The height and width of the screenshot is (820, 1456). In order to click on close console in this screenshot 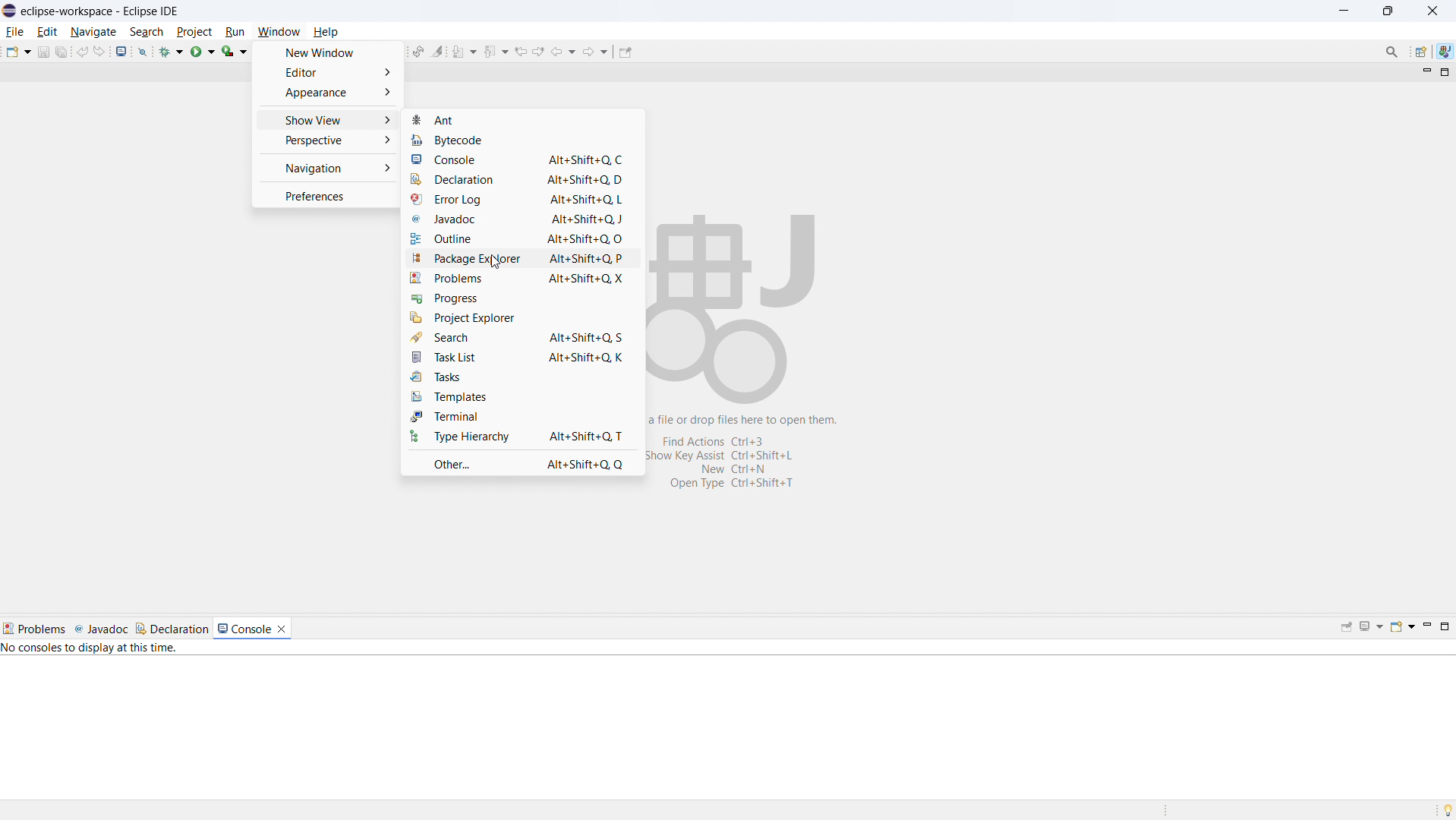, I will do `click(281, 629)`.